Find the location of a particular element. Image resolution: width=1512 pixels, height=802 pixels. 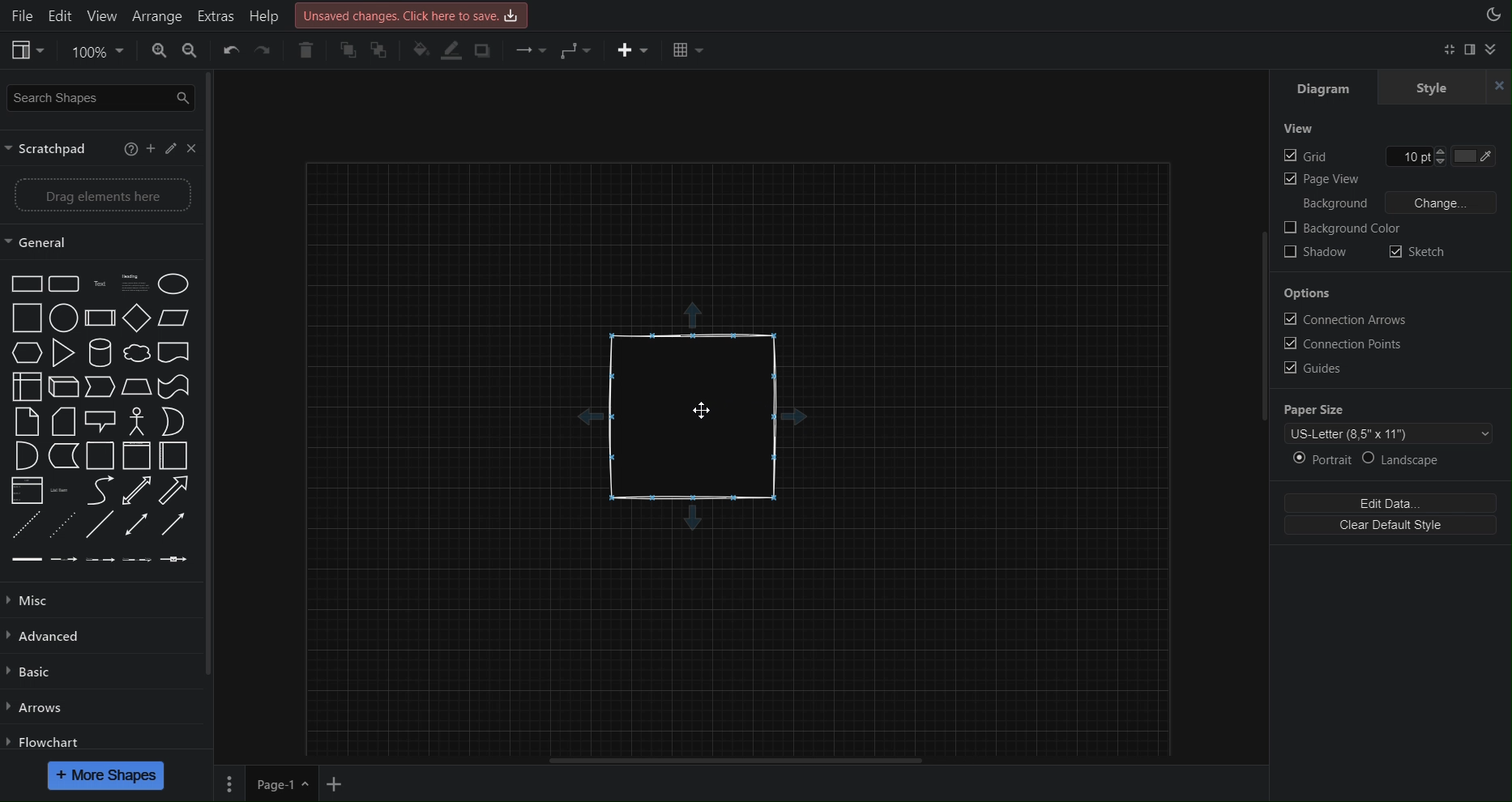

Clear Default Style is located at coordinates (1398, 527).